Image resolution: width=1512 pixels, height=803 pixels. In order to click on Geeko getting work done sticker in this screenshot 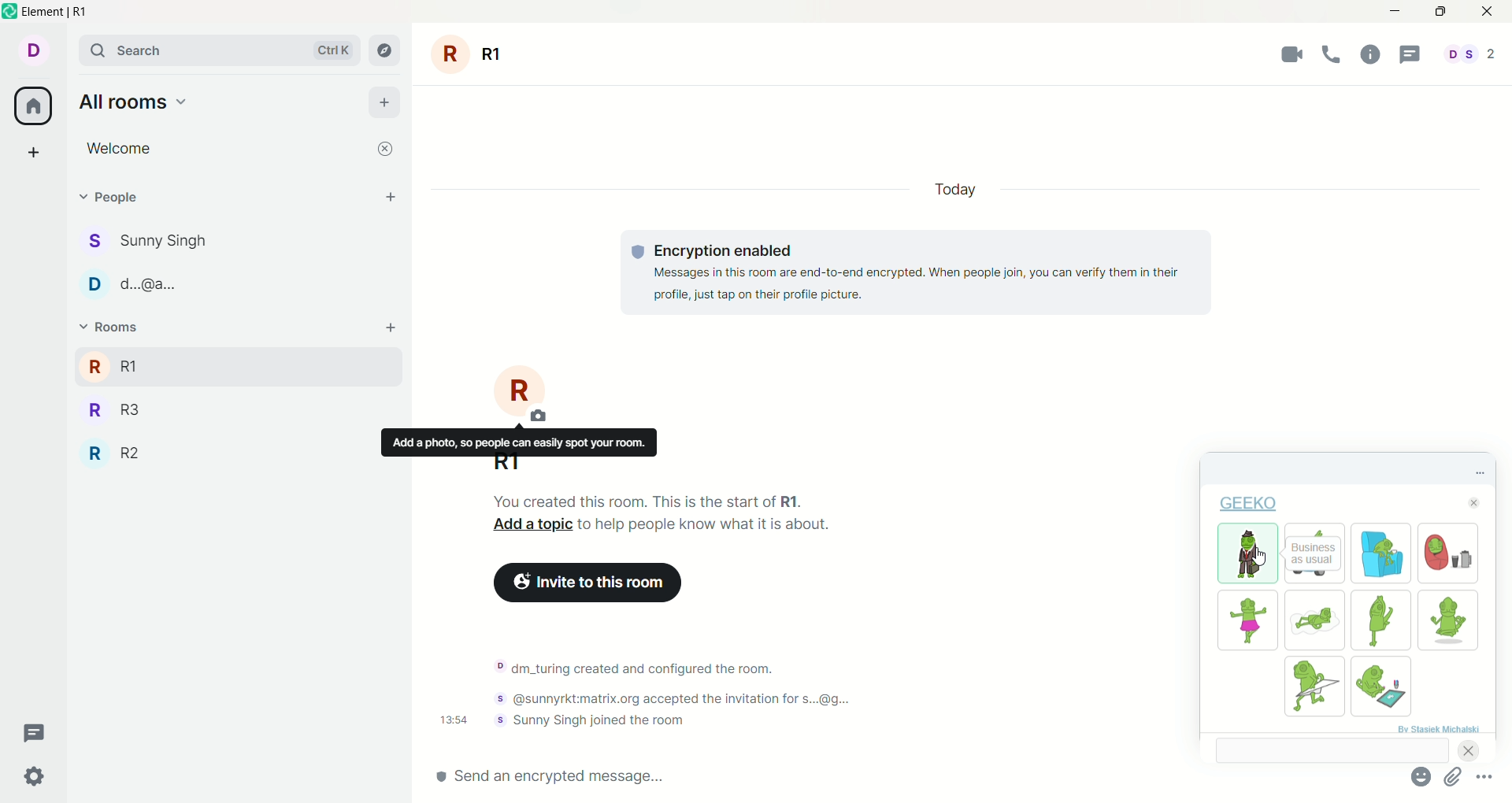, I will do `click(1382, 686)`.